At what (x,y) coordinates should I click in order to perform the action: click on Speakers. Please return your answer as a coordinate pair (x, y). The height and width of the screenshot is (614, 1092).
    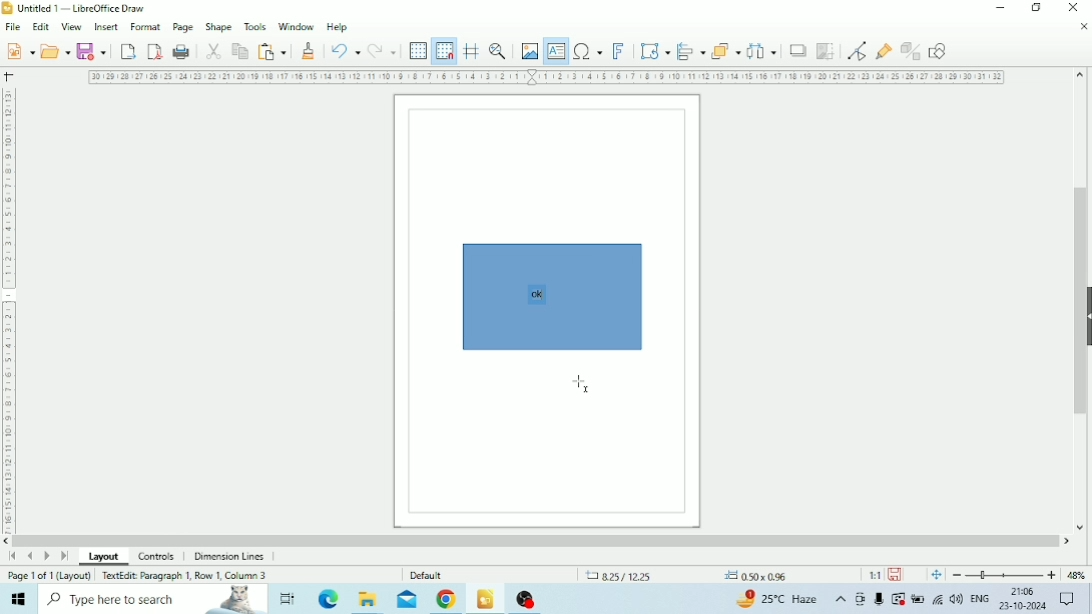
    Looking at the image, I should click on (957, 599).